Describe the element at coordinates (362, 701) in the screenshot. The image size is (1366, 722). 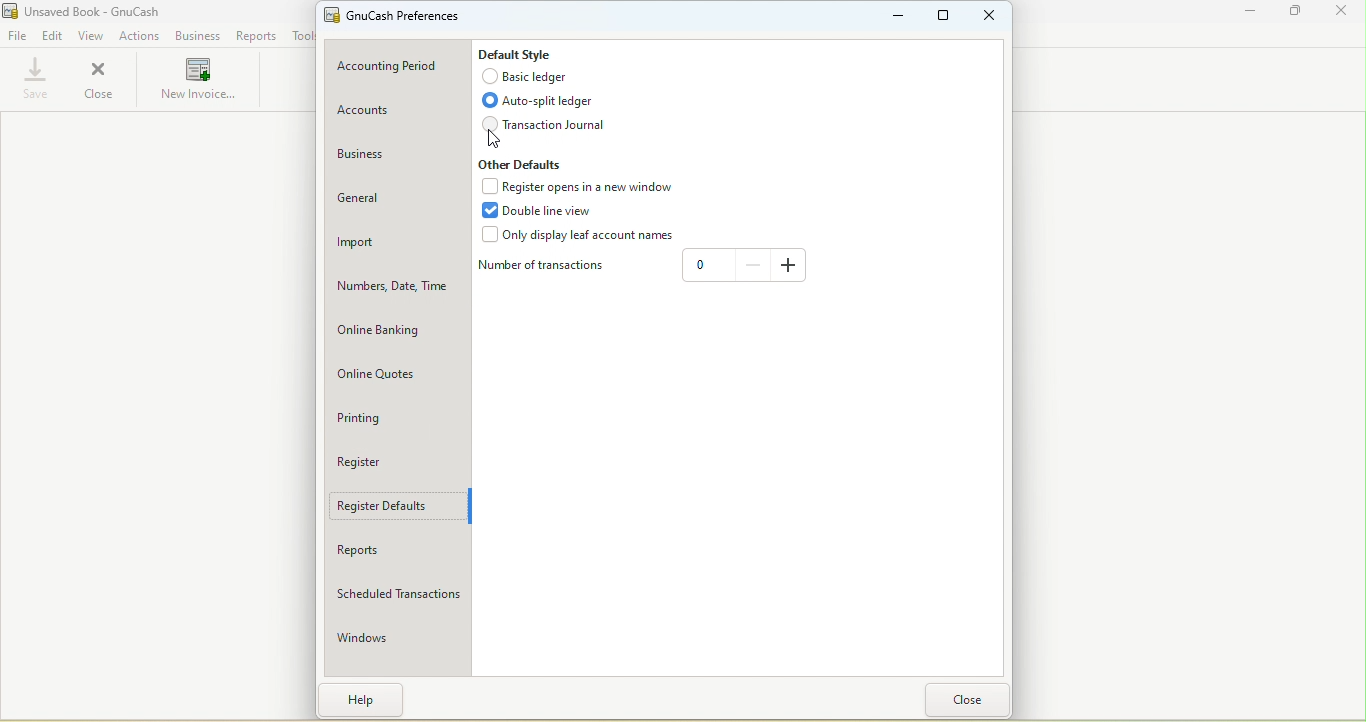
I see `Help` at that location.